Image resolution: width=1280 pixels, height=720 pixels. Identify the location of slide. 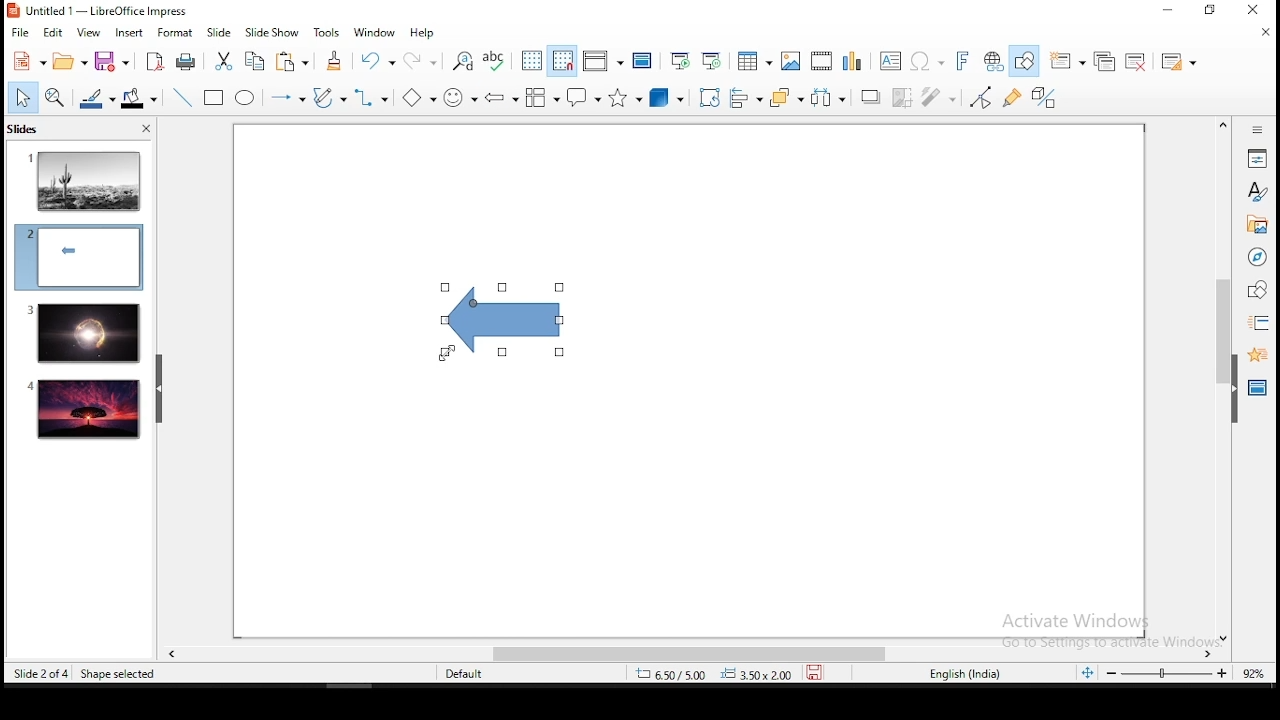
(85, 410).